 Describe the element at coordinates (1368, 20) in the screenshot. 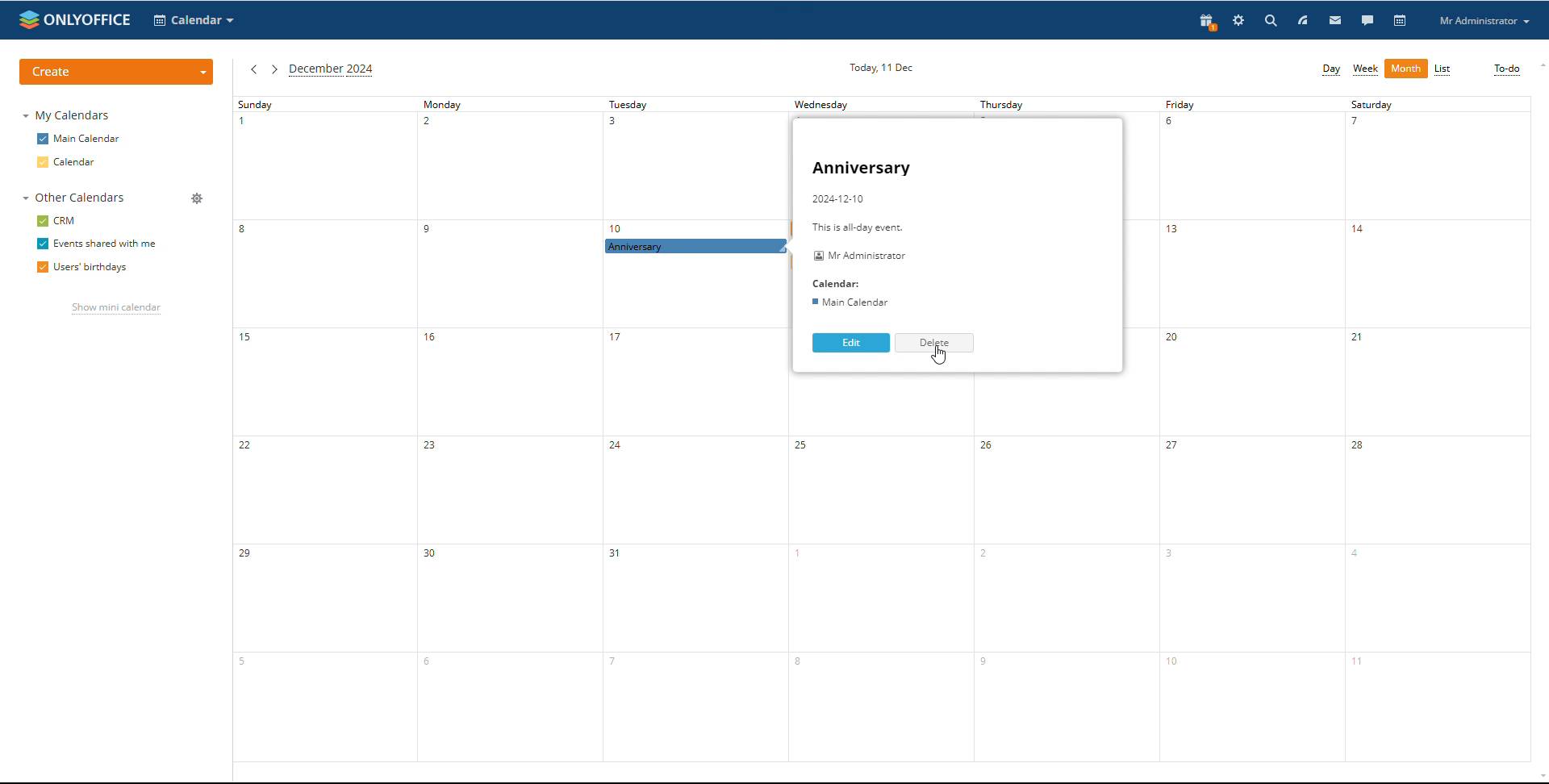

I see `talk` at that location.